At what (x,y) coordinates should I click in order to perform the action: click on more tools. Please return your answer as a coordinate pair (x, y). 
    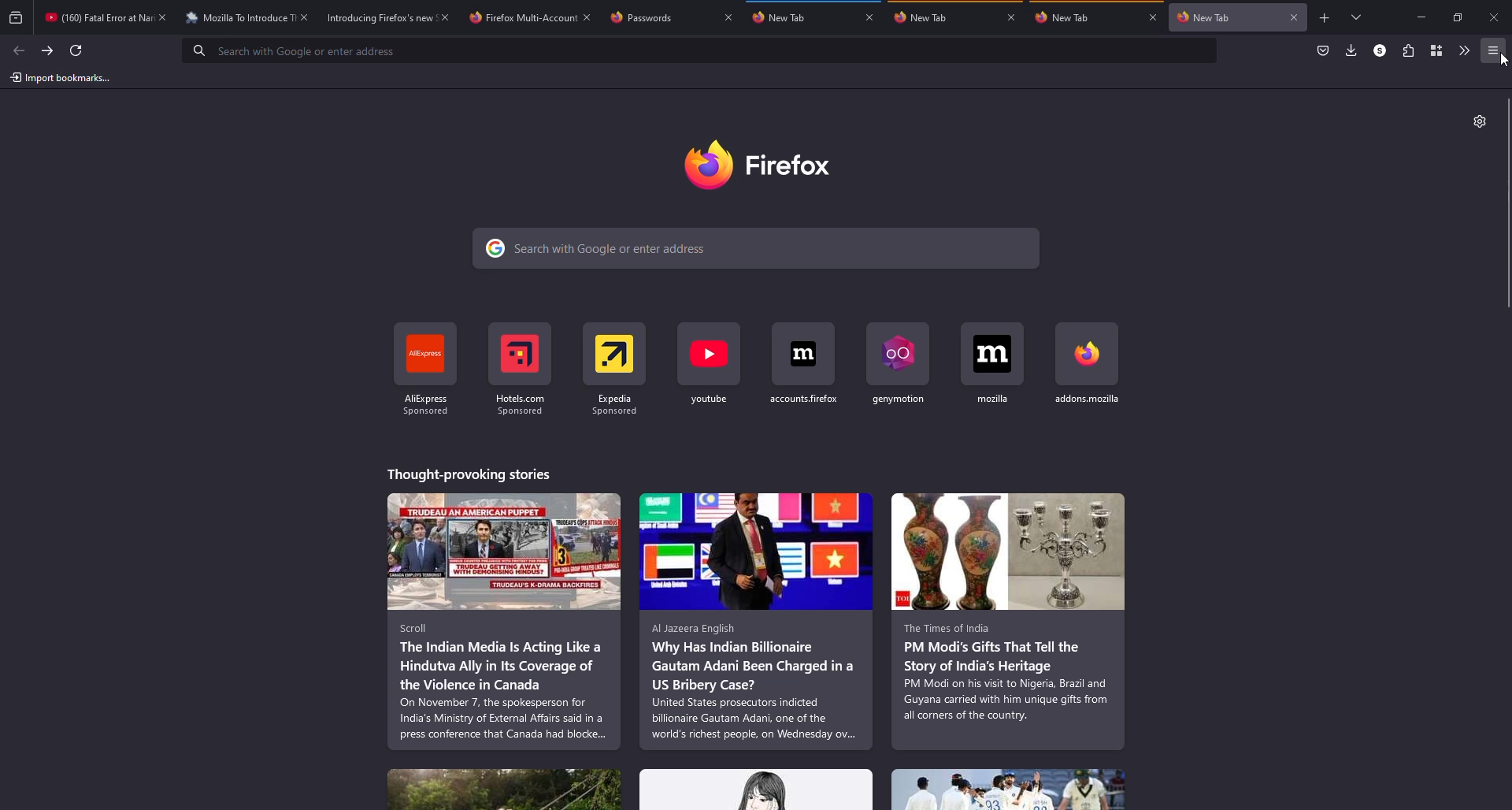
    Looking at the image, I should click on (1464, 50).